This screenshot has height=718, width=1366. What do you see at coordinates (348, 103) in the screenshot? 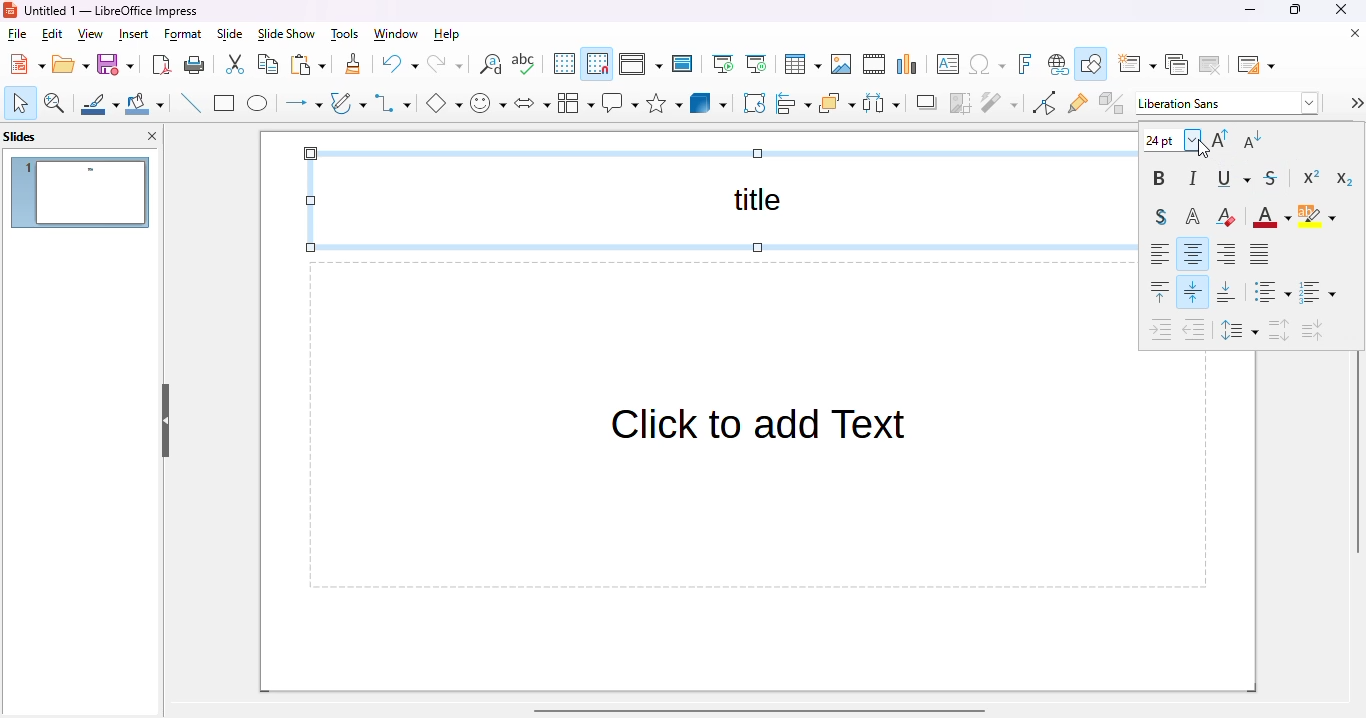
I see `curves and polygons` at bounding box center [348, 103].